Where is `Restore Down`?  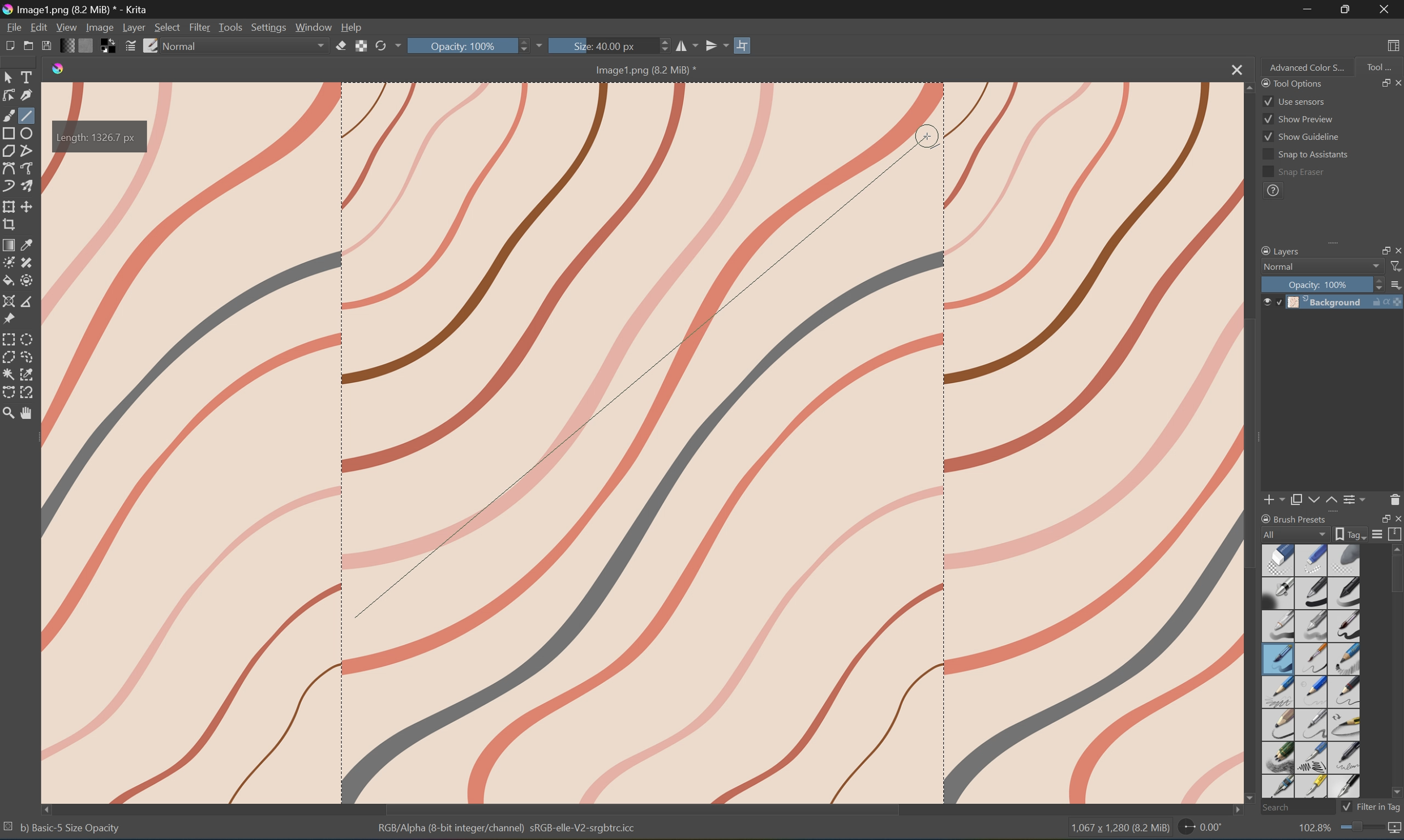
Restore Down is located at coordinates (1378, 250).